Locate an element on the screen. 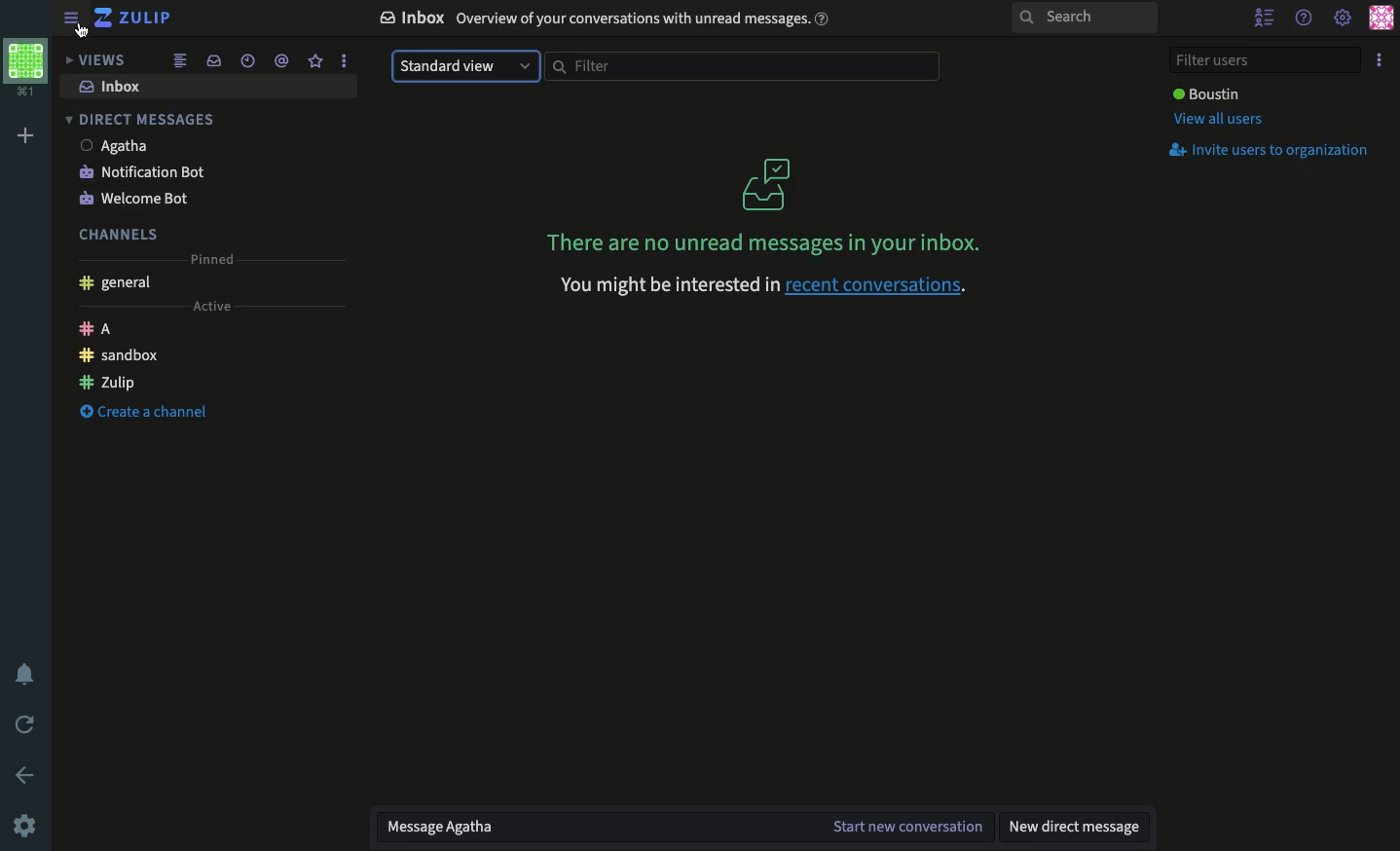 This screenshot has width=1400, height=851. New DM is located at coordinates (1077, 826).